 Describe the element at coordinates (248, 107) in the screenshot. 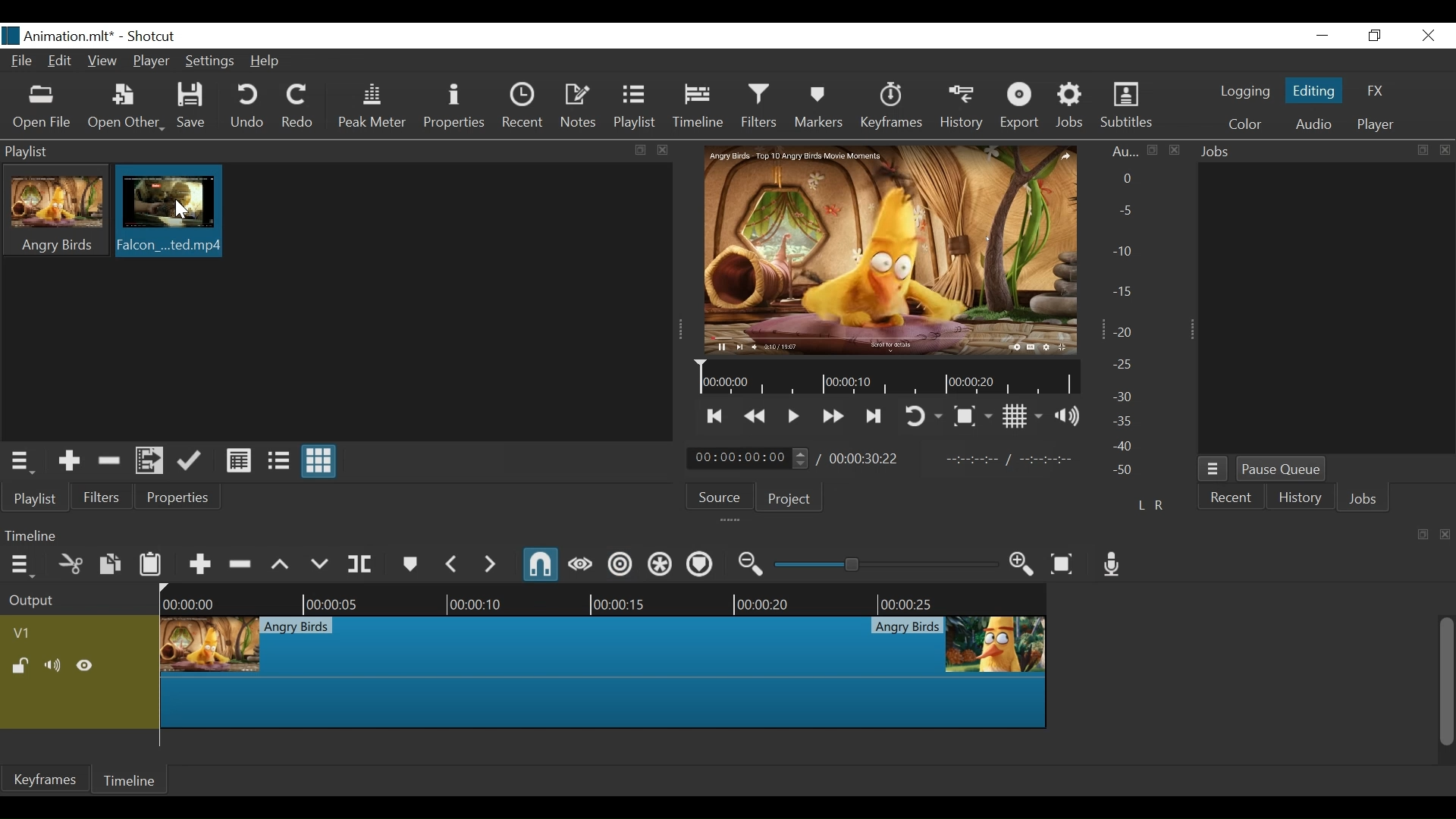

I see `Undo` at that location.